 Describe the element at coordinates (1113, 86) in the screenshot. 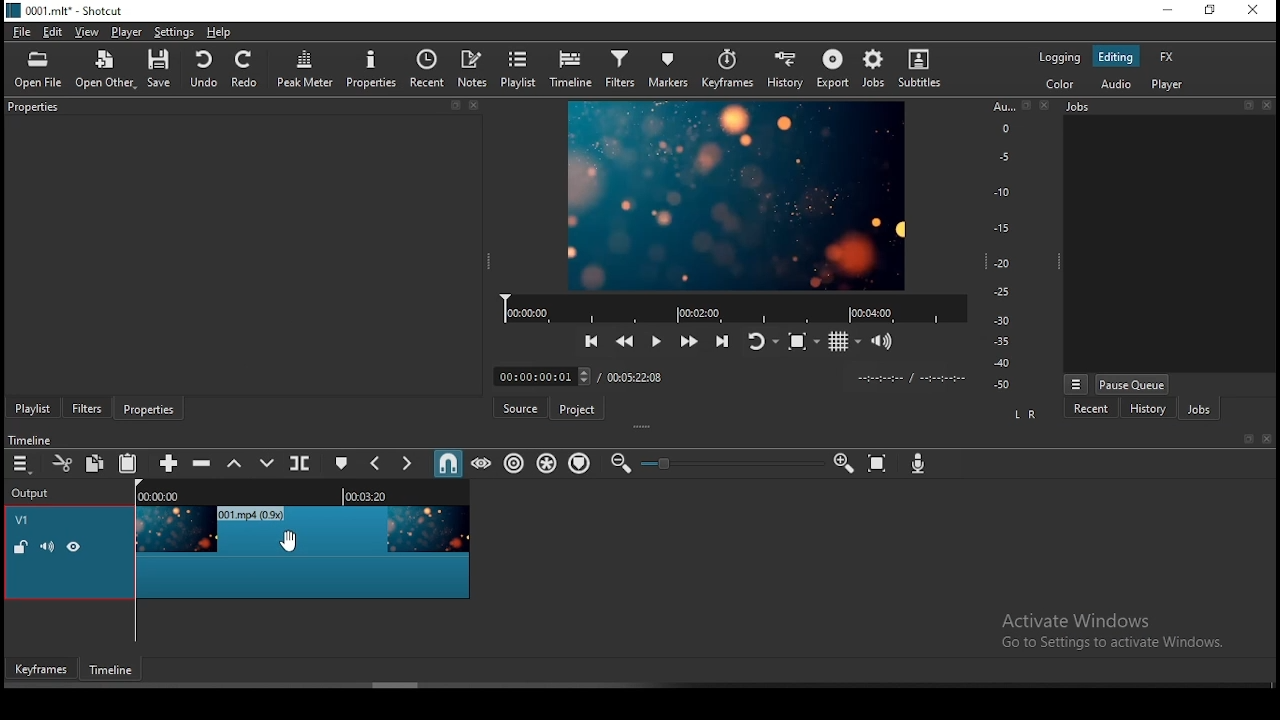

I see `audio` at that location.